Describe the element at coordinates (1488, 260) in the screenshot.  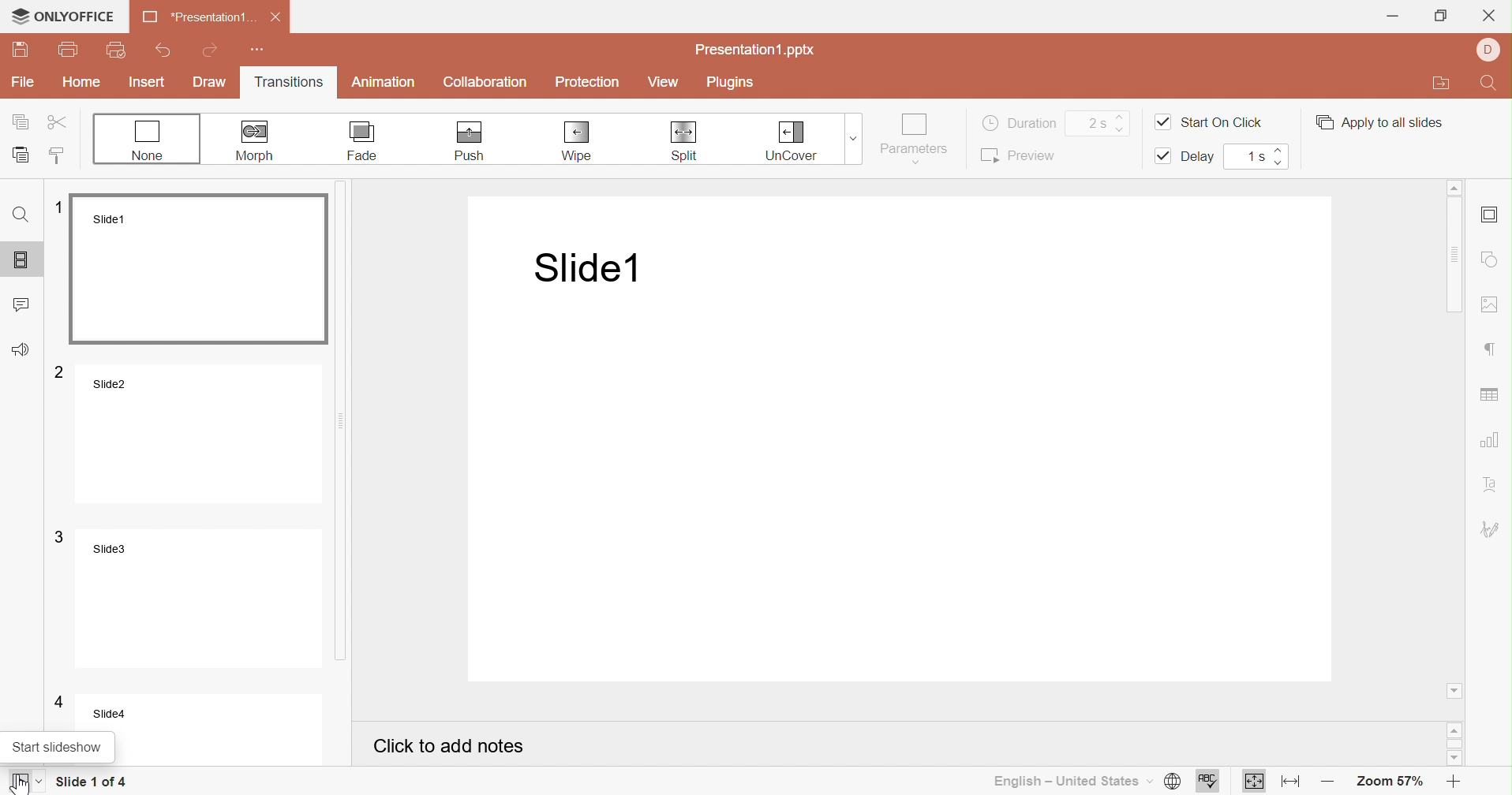
I see `Shape settings` at that location.